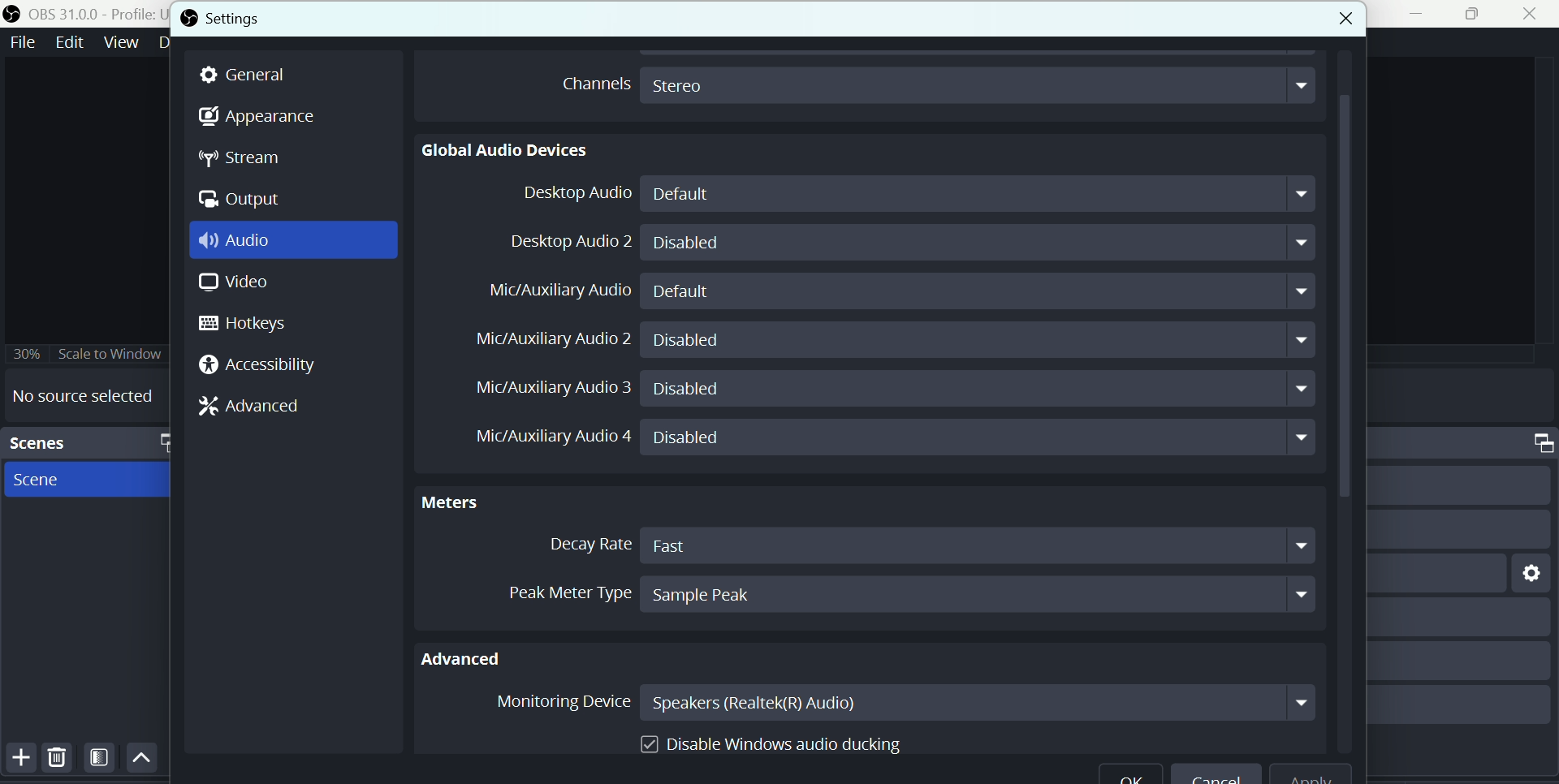  What do you see at coordinates (980, 243) in the screenshot?
I see `Disabled` at bounding box center [980, 243].